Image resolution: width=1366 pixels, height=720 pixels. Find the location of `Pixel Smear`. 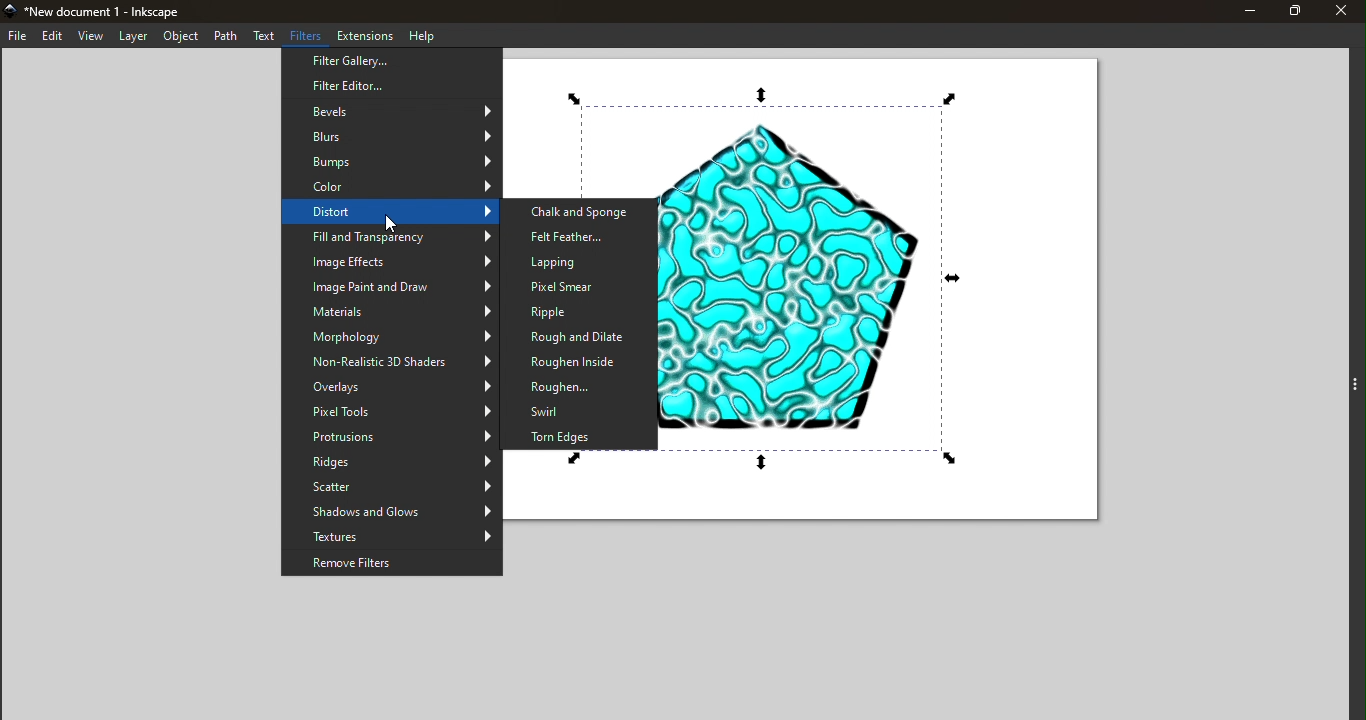

Pixel Smear is located at coordinates (579, 287).